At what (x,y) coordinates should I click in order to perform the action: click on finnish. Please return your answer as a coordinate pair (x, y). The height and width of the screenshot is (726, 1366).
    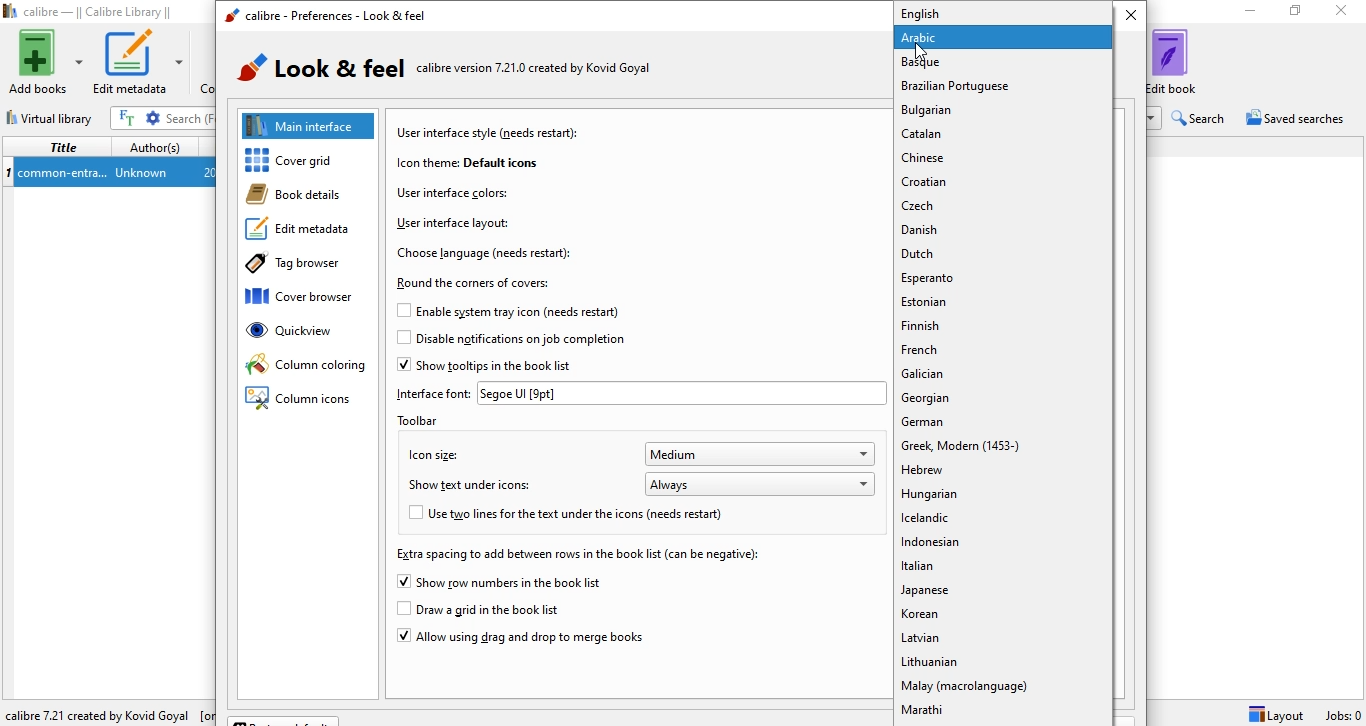
    Looking at the image, I should click on (1001, 326).